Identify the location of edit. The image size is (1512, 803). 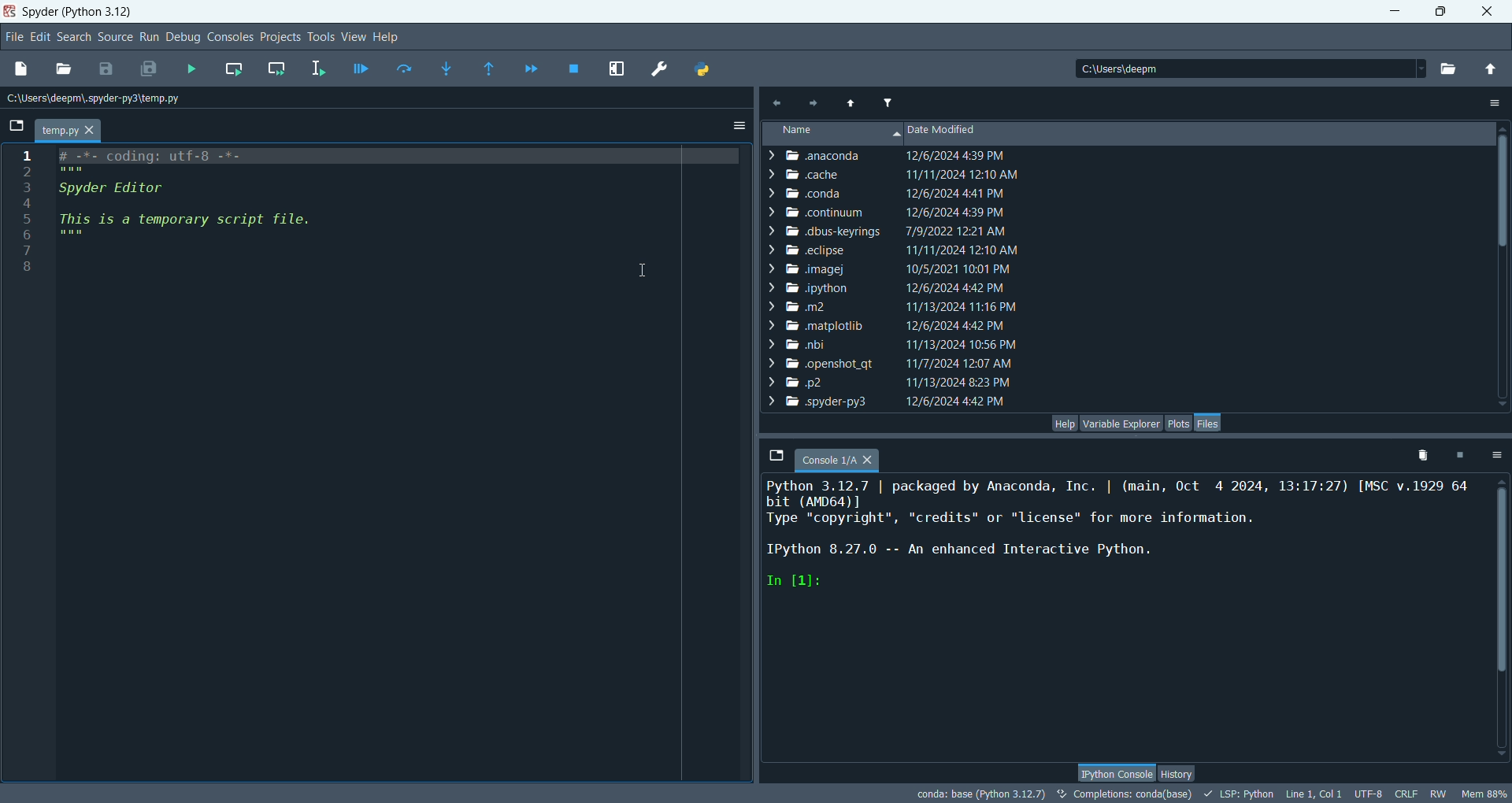
(42, 37).